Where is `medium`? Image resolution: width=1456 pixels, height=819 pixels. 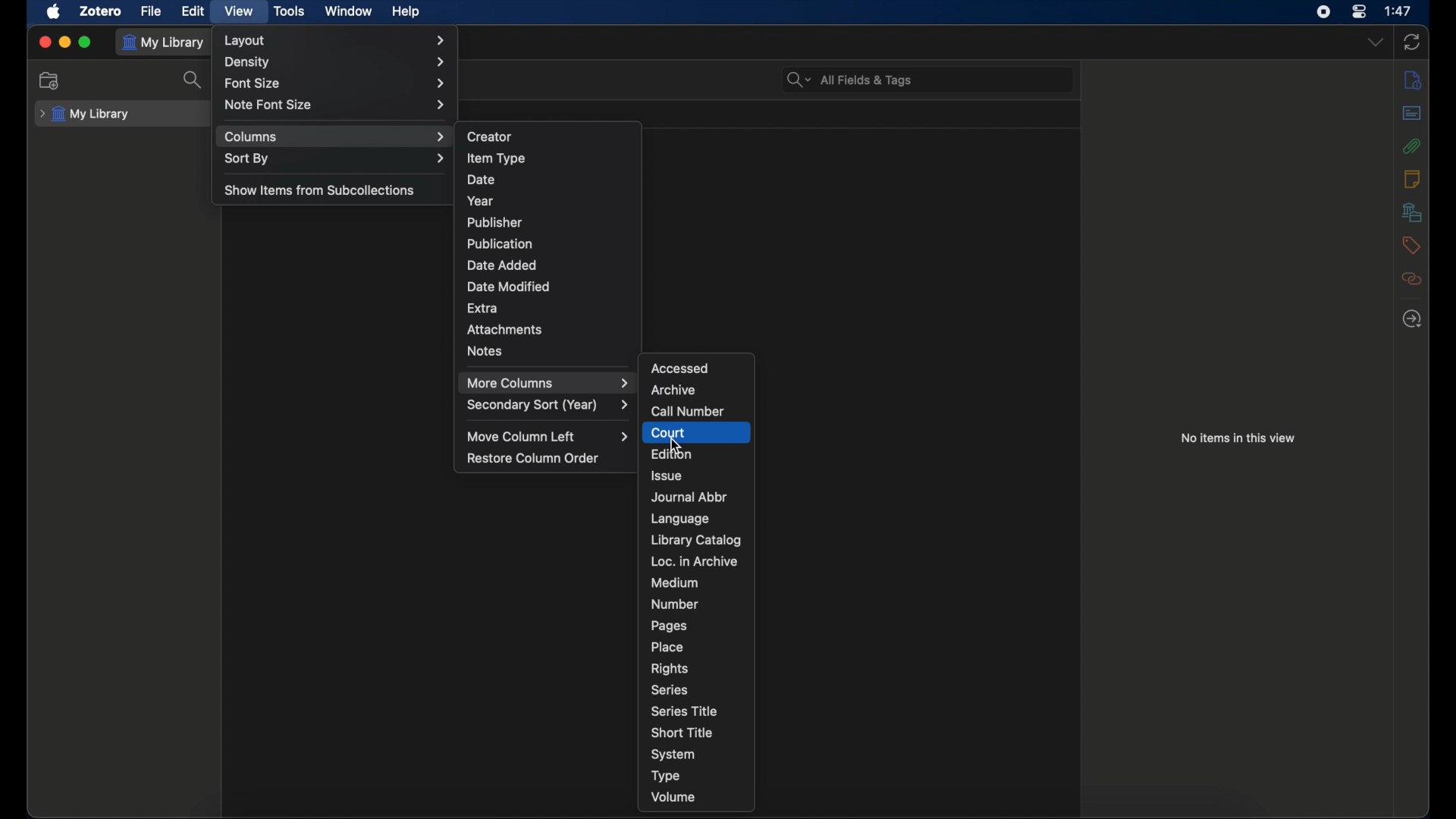 medium is located at coordinates (675, 583).